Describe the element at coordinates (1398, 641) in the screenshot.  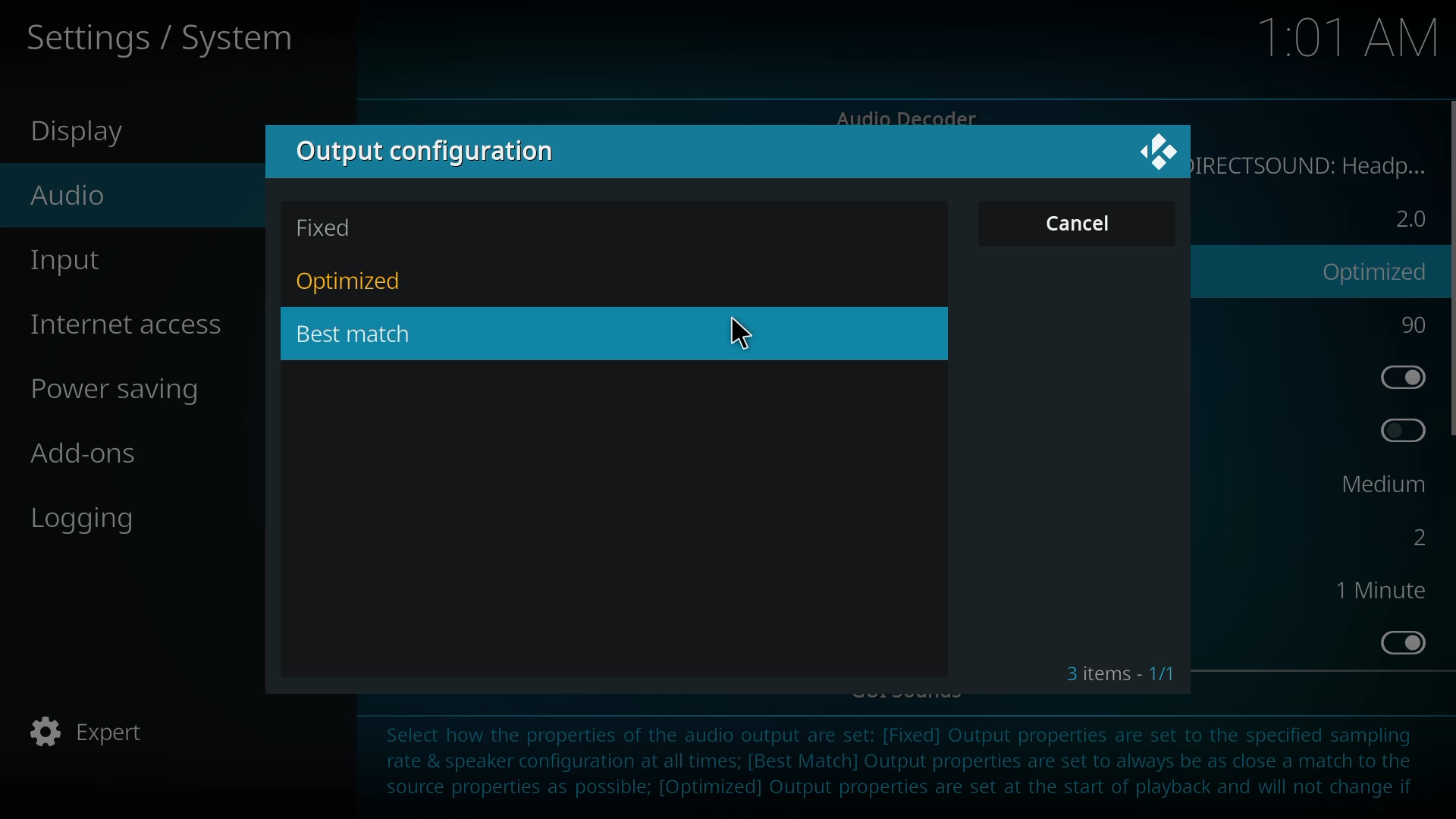
I see `enabled` at that location.